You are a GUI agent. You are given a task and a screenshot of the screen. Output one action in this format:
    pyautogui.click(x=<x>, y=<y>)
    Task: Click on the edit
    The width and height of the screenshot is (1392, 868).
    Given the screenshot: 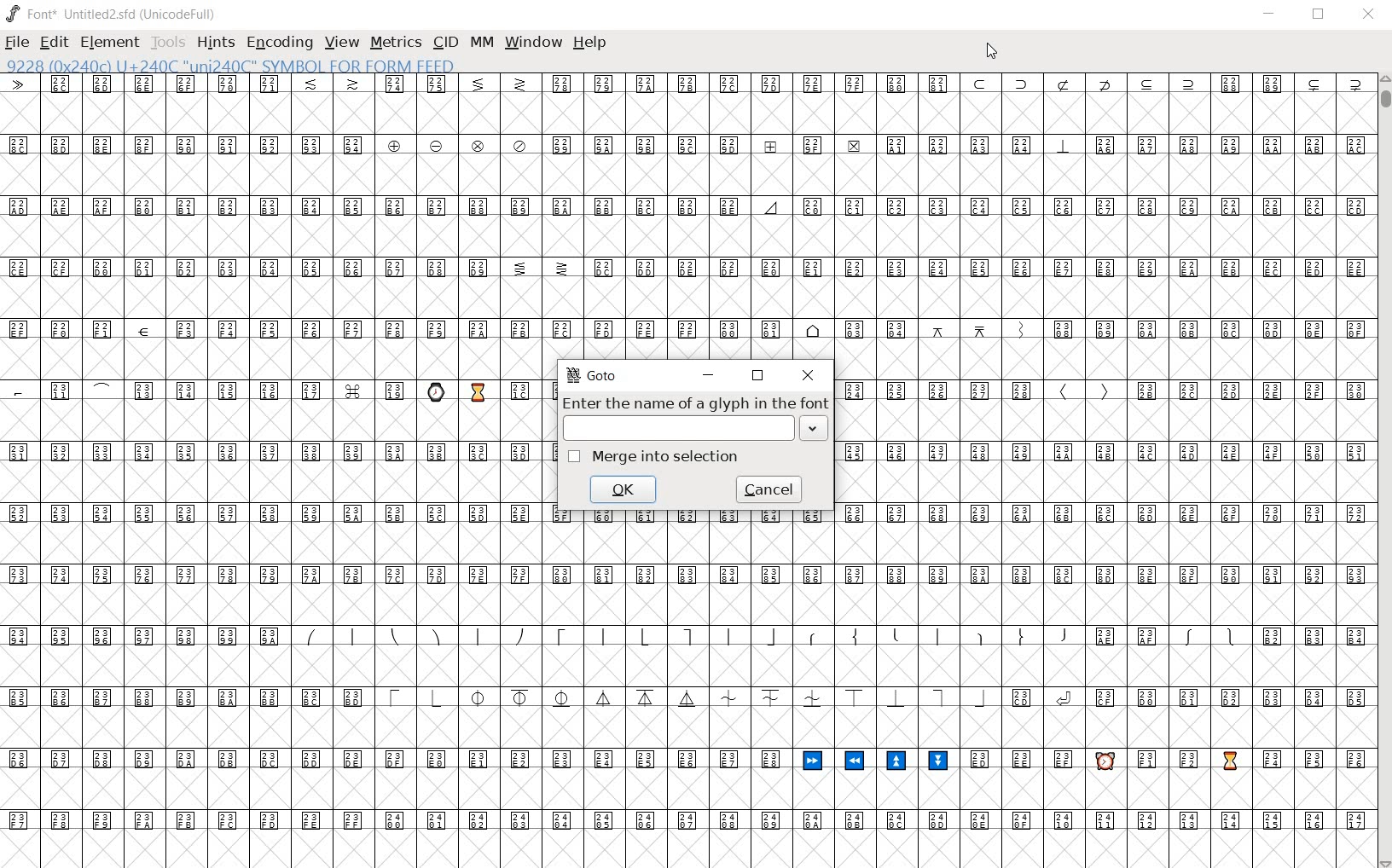 What is the action you would take?
    pyautogui.click(x=53, y=43)
    